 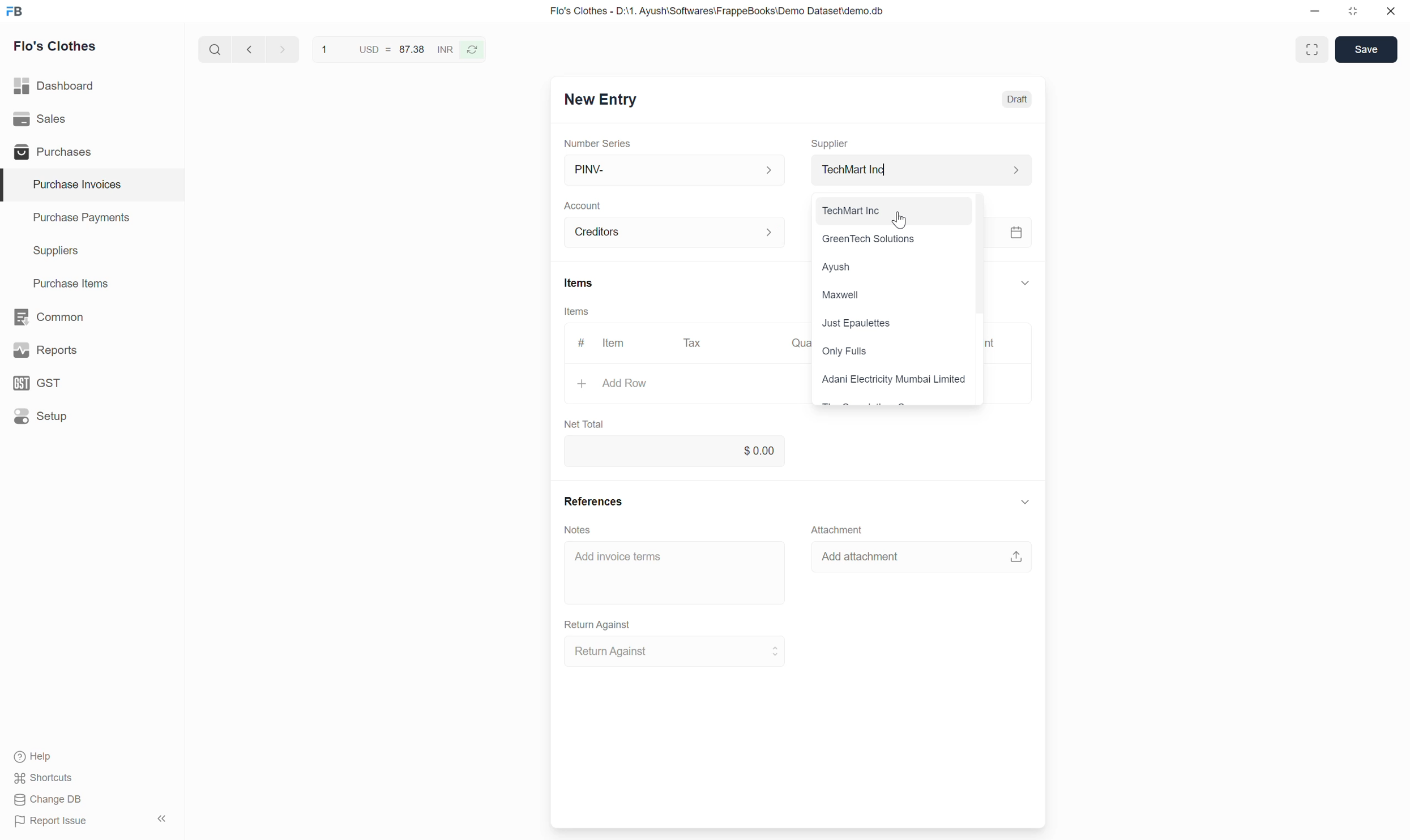 What do you see at coordinates (694, 342) in the screenshot?
I see `Tax` at bounding box center [694, 342].